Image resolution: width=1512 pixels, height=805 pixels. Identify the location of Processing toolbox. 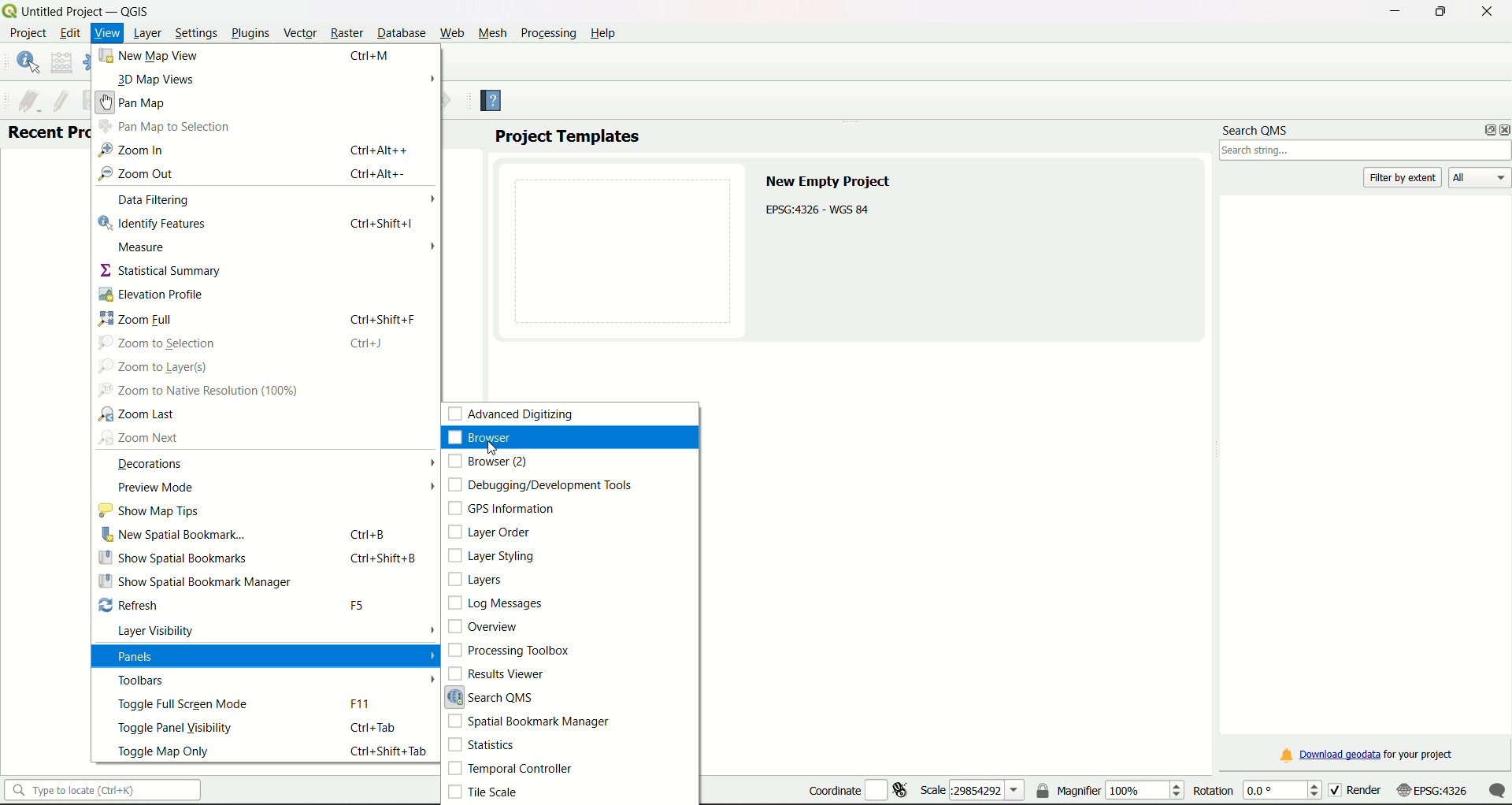
(509, 650).